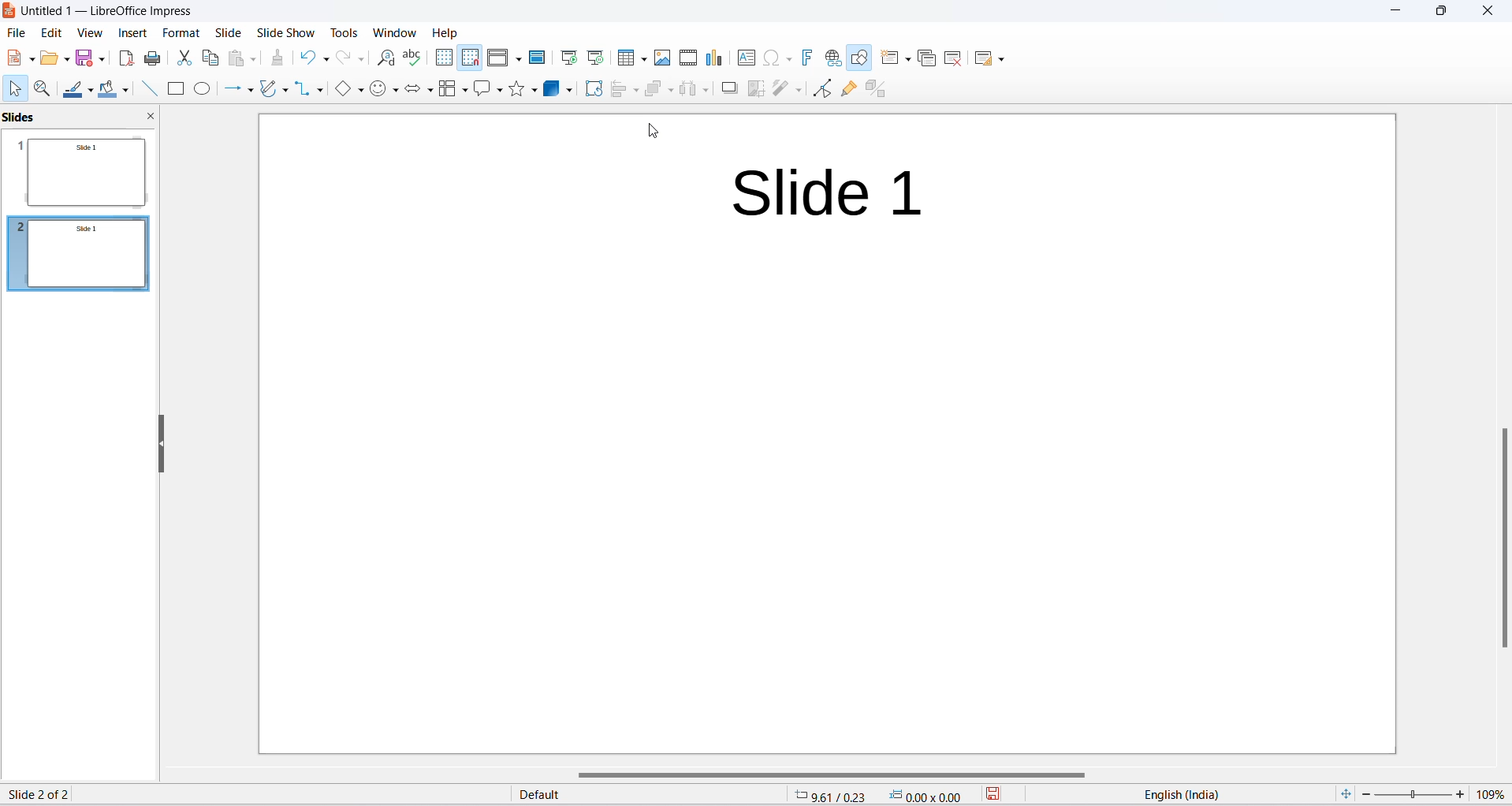  I want to click on copy, so click(211, 59).